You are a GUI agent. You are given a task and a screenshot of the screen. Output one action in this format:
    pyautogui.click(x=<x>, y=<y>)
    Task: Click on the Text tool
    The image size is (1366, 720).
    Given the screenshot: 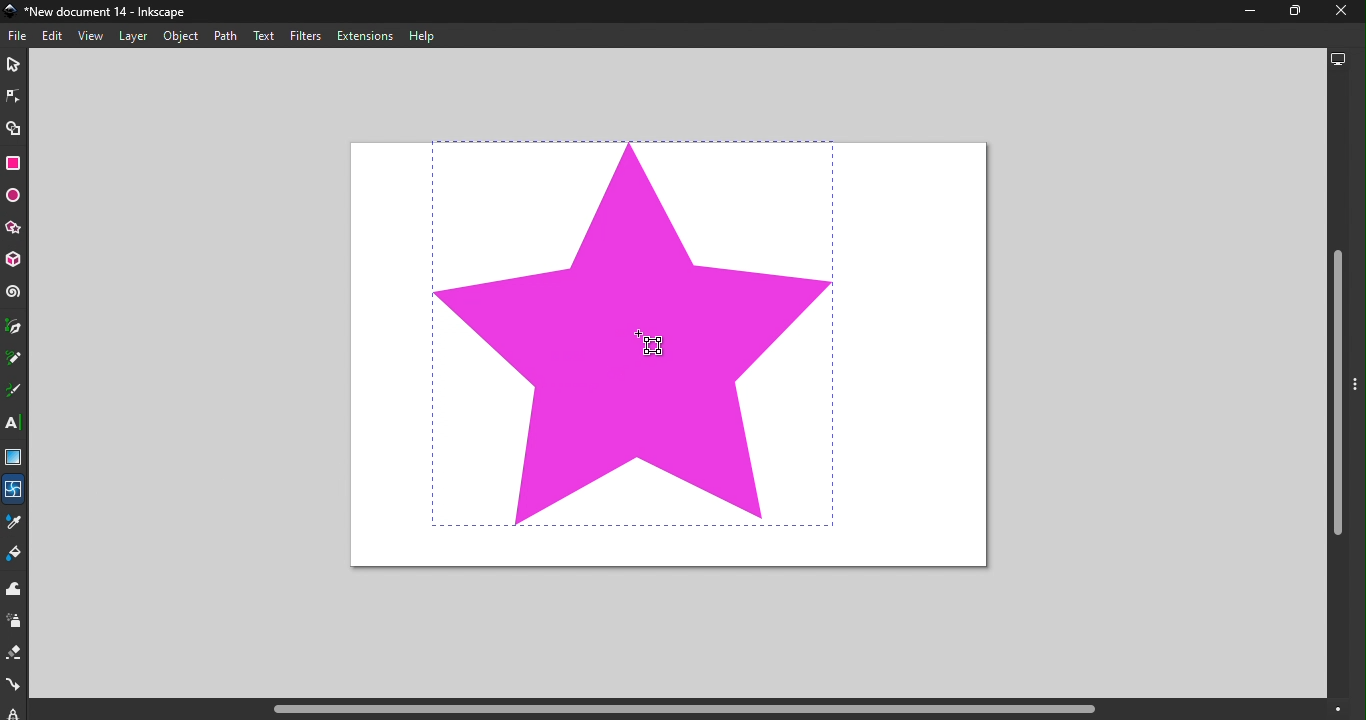 What is the action you would take?
    pyautogui.click(x=16, y=424)
    